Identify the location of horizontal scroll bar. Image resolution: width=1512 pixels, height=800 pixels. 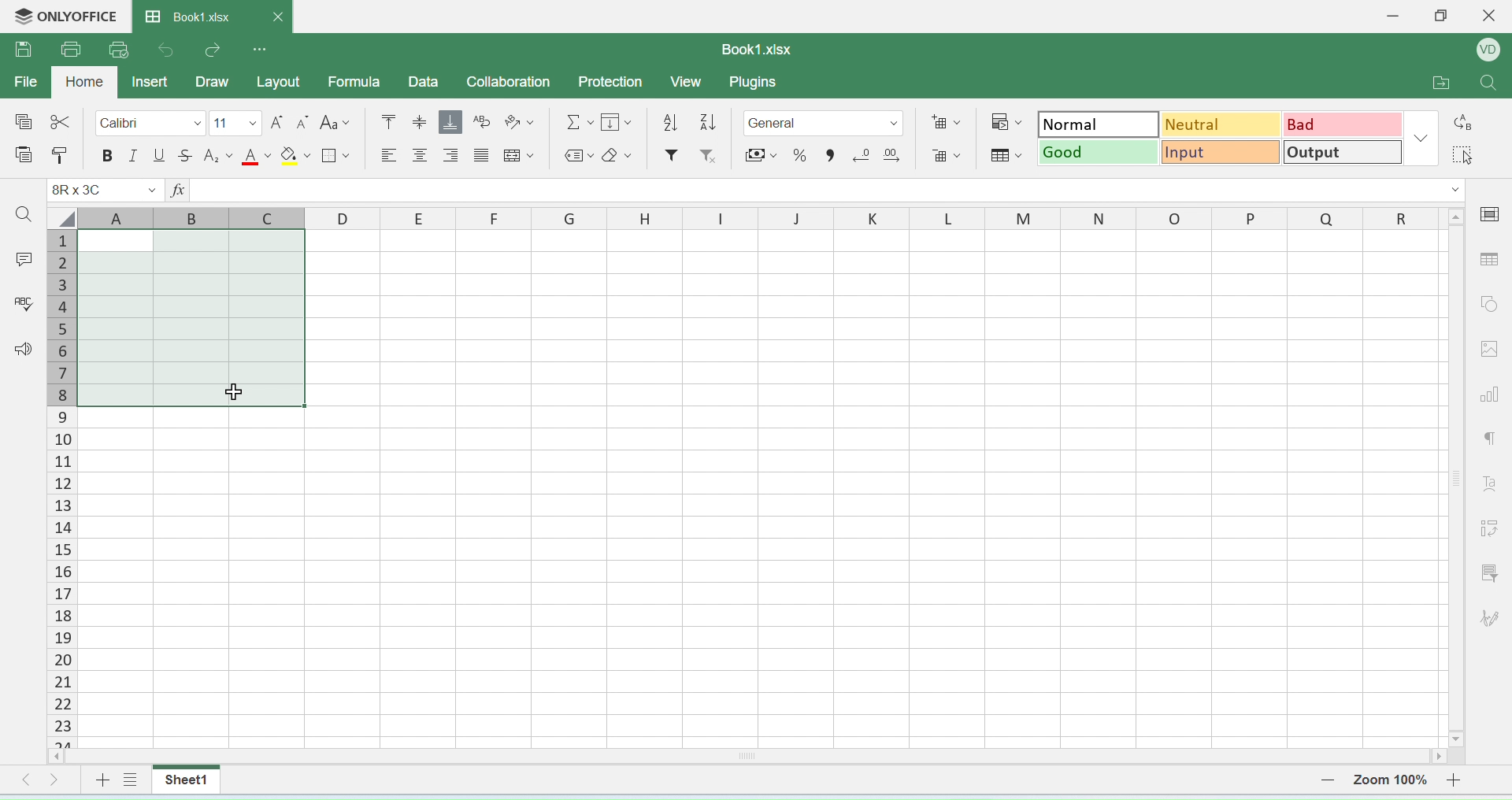
(750, 758).